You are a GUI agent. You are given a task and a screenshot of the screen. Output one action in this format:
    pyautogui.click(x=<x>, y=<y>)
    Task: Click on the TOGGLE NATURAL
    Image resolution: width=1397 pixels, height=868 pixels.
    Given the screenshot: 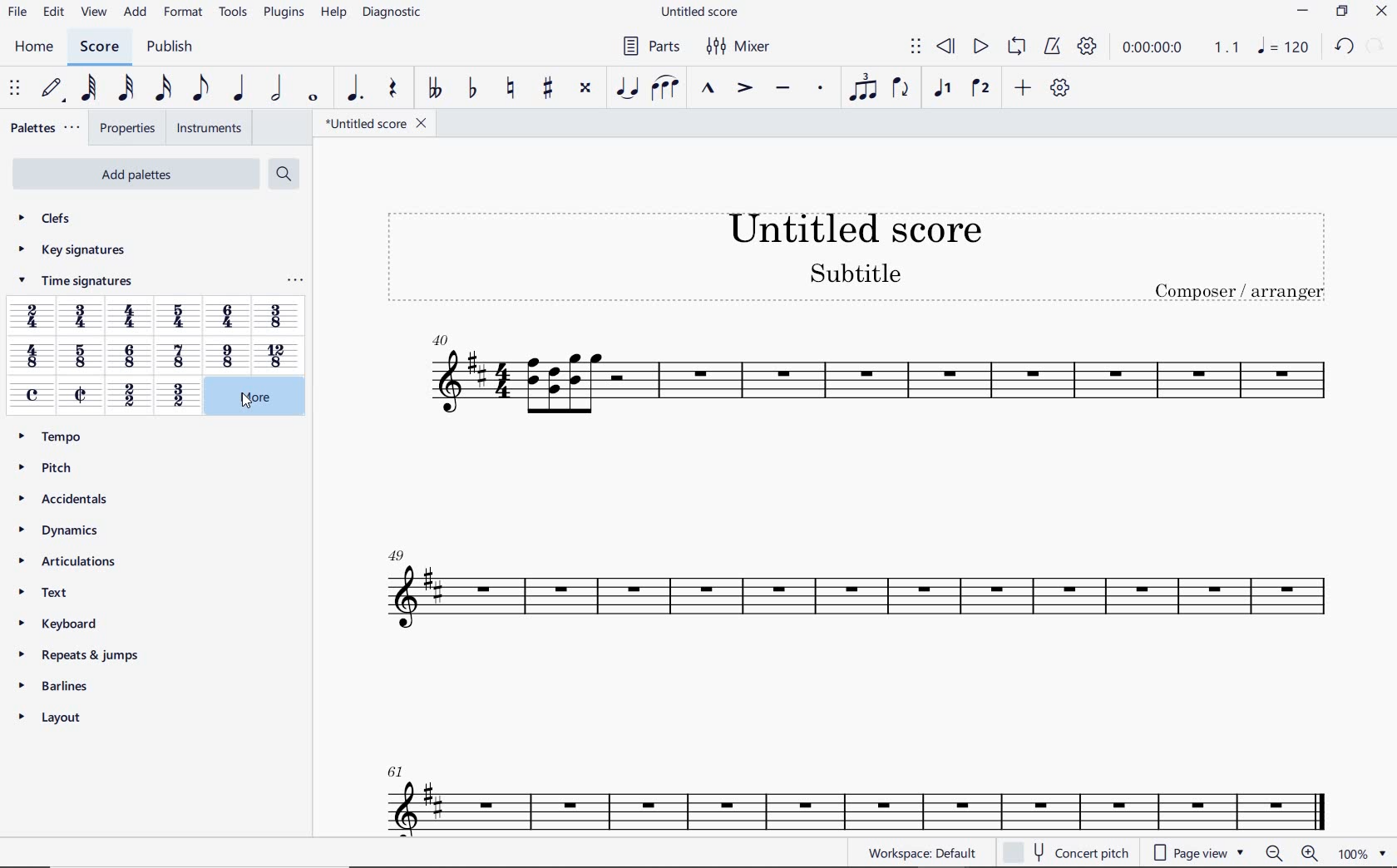 What is the action you would take?
    pyautogui.click(x=513, y=89)
    